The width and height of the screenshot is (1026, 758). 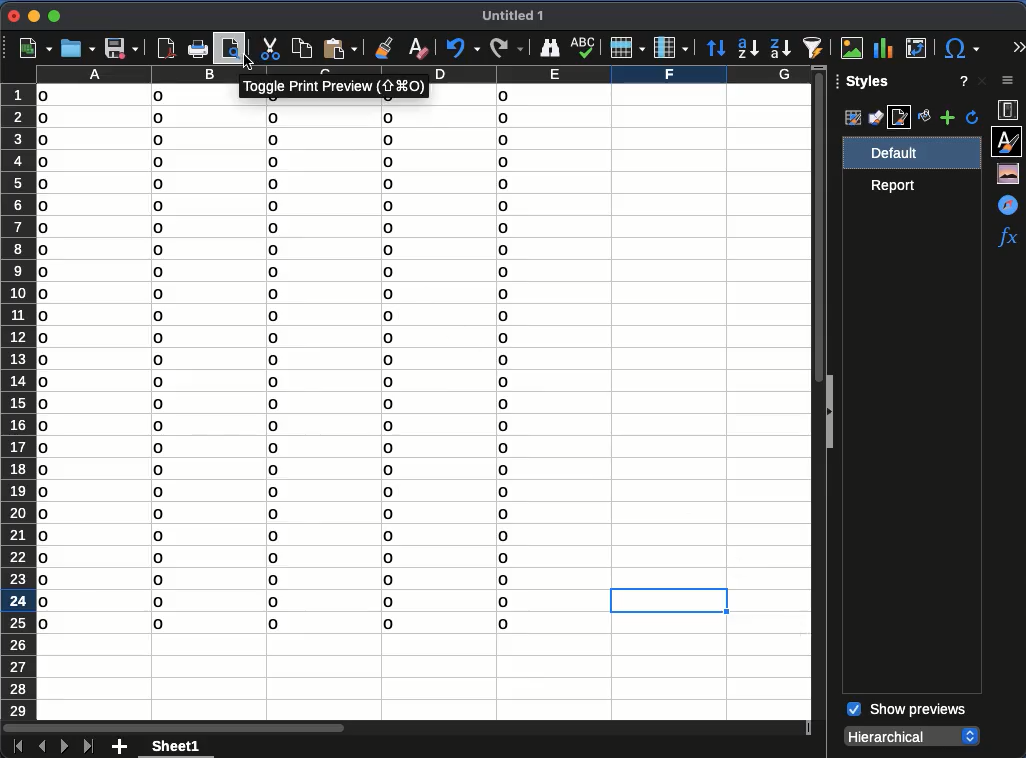 I want to click on spell check, so click(x=583, y=48).